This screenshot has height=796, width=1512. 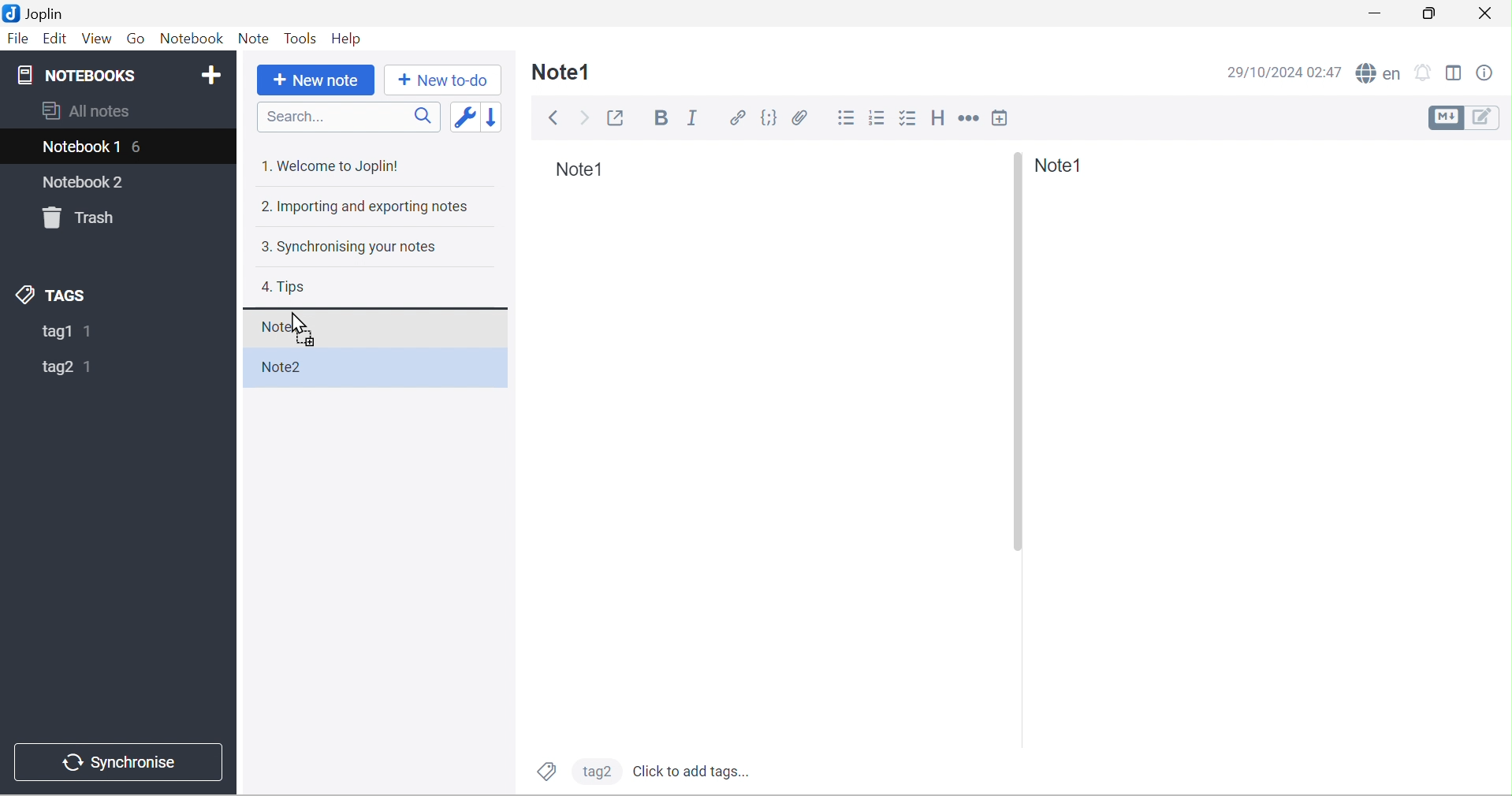 What do you see at coordinates (88, 110) in the screenshot?
I see `All notes` at bounding box center [88, 110].